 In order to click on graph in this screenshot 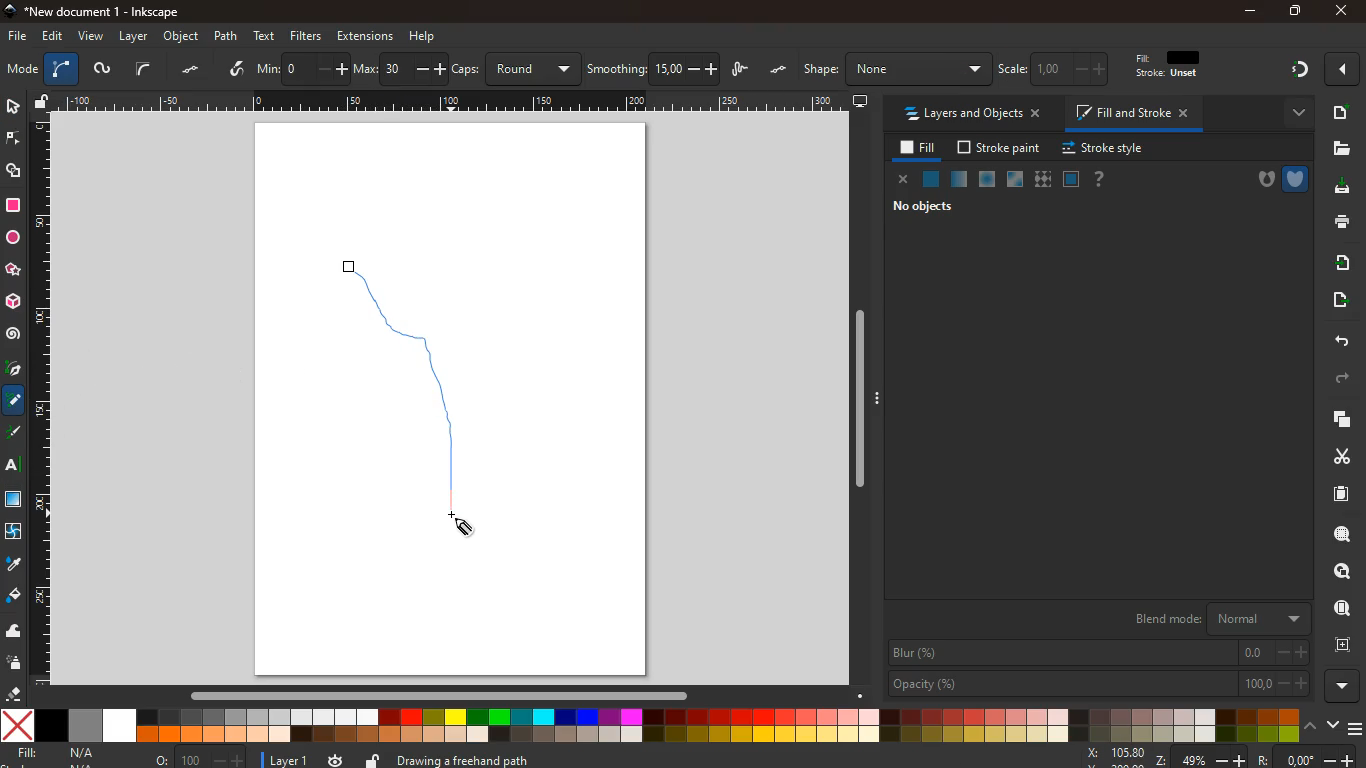, I will do `click(371, 70)`.